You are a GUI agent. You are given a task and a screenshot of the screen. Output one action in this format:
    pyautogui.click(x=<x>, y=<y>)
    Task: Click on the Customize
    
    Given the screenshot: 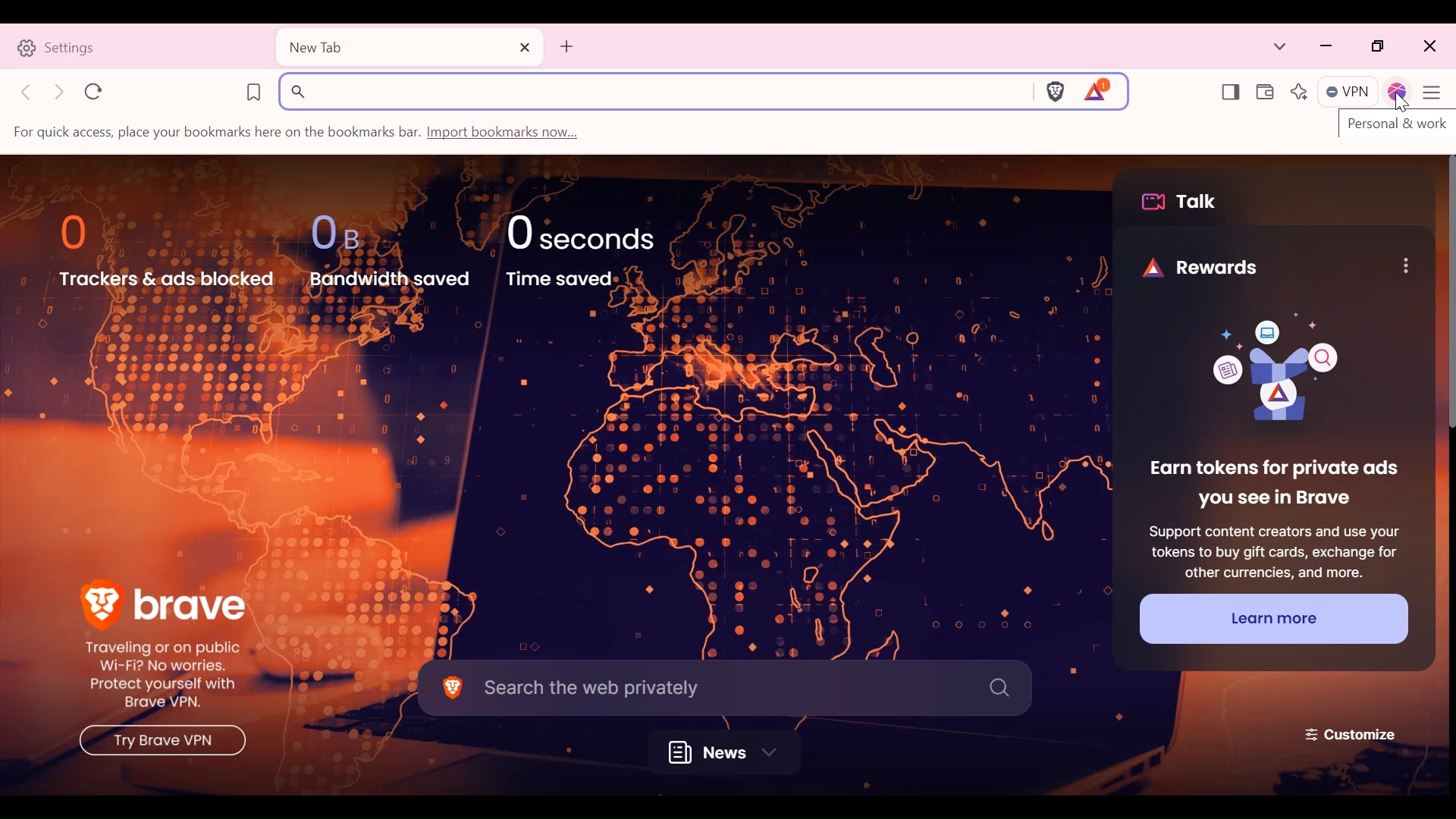 What is the action you would take?
    pyautogui.click(x=1352, y=733)
    